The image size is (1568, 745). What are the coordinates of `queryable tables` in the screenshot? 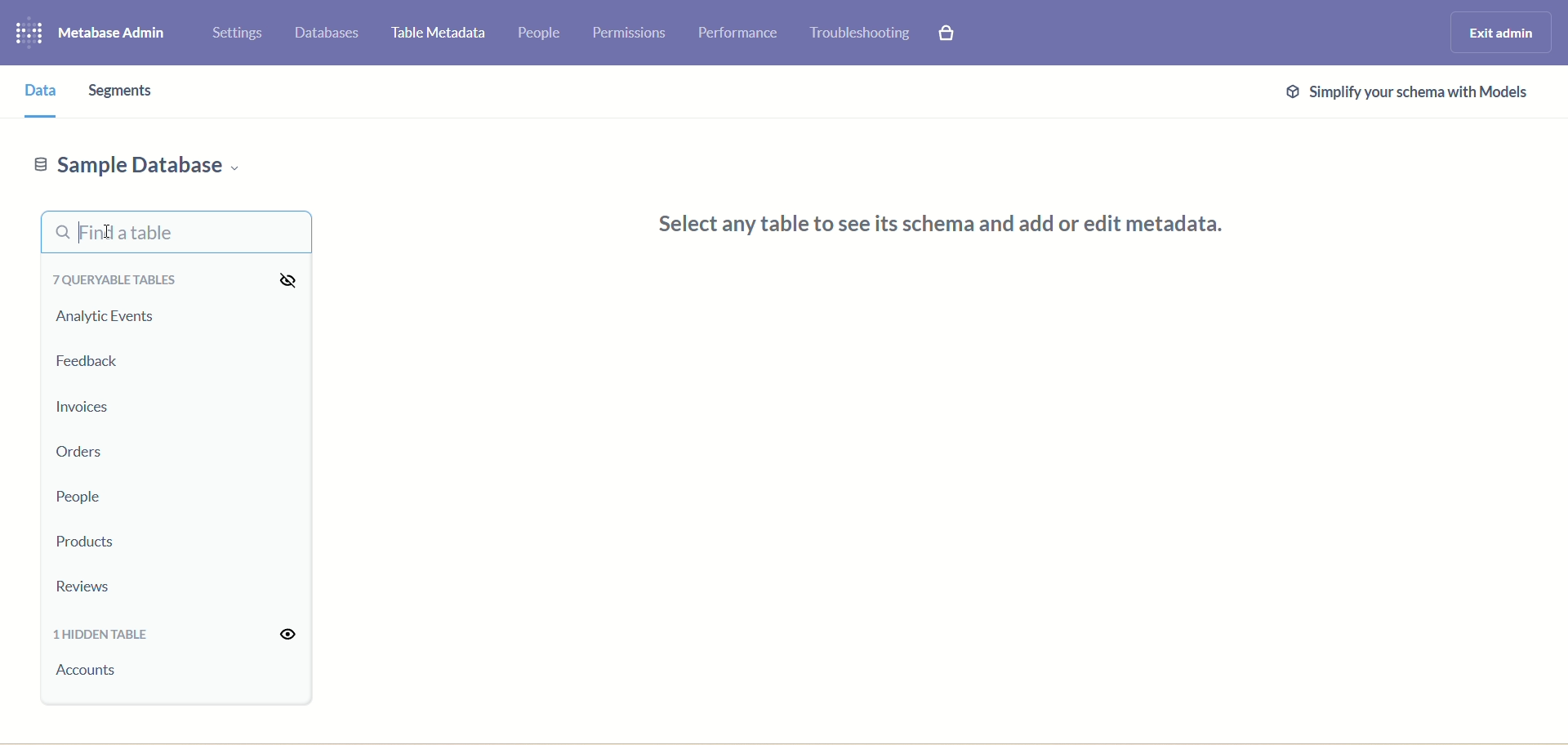 It's located at (118, 278).